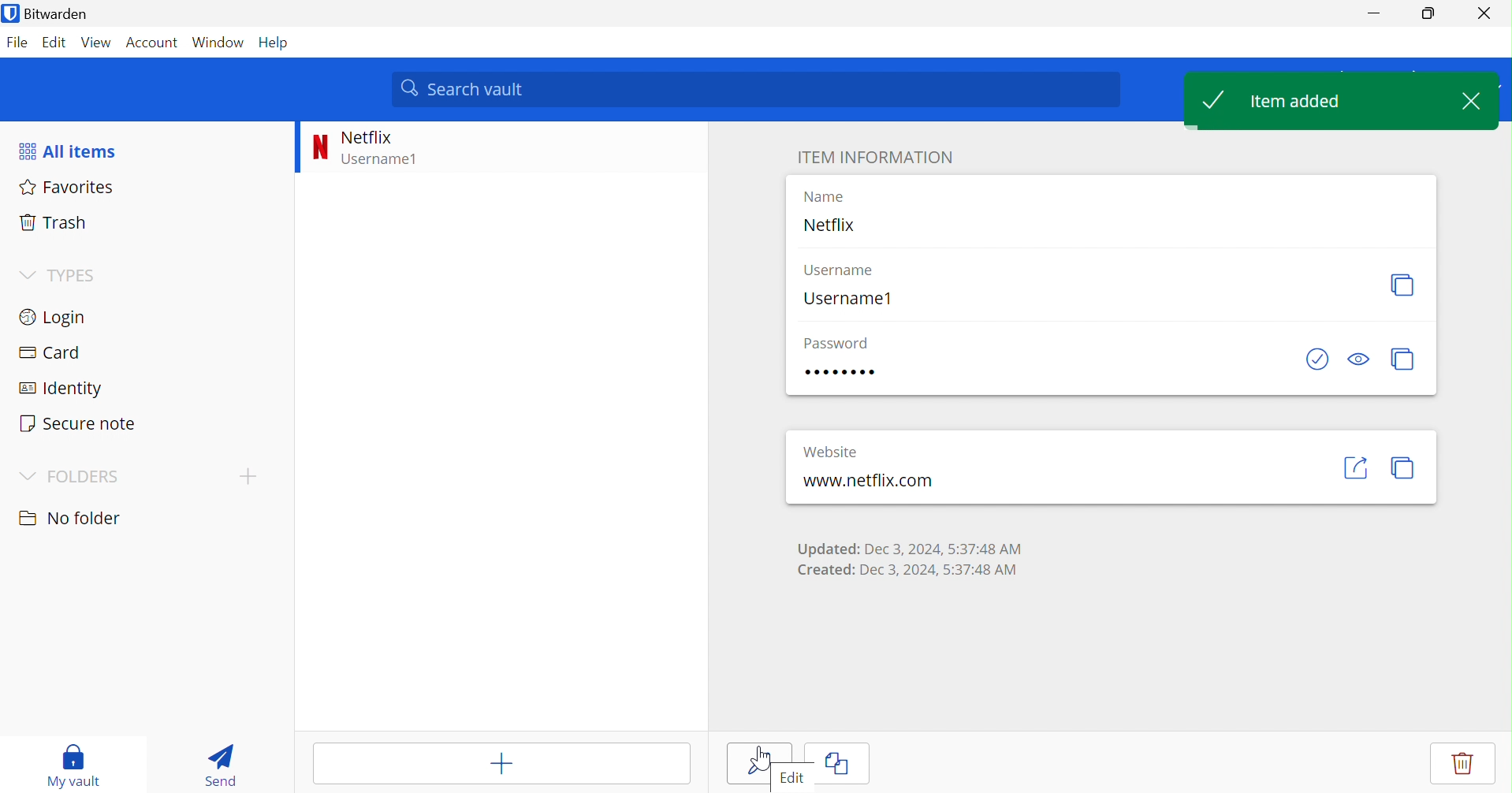 The image size is (1512, 793). What do you see at coordinates (275, 43) in the screenshot?
I see `Help` at bounding box center [275, 43].